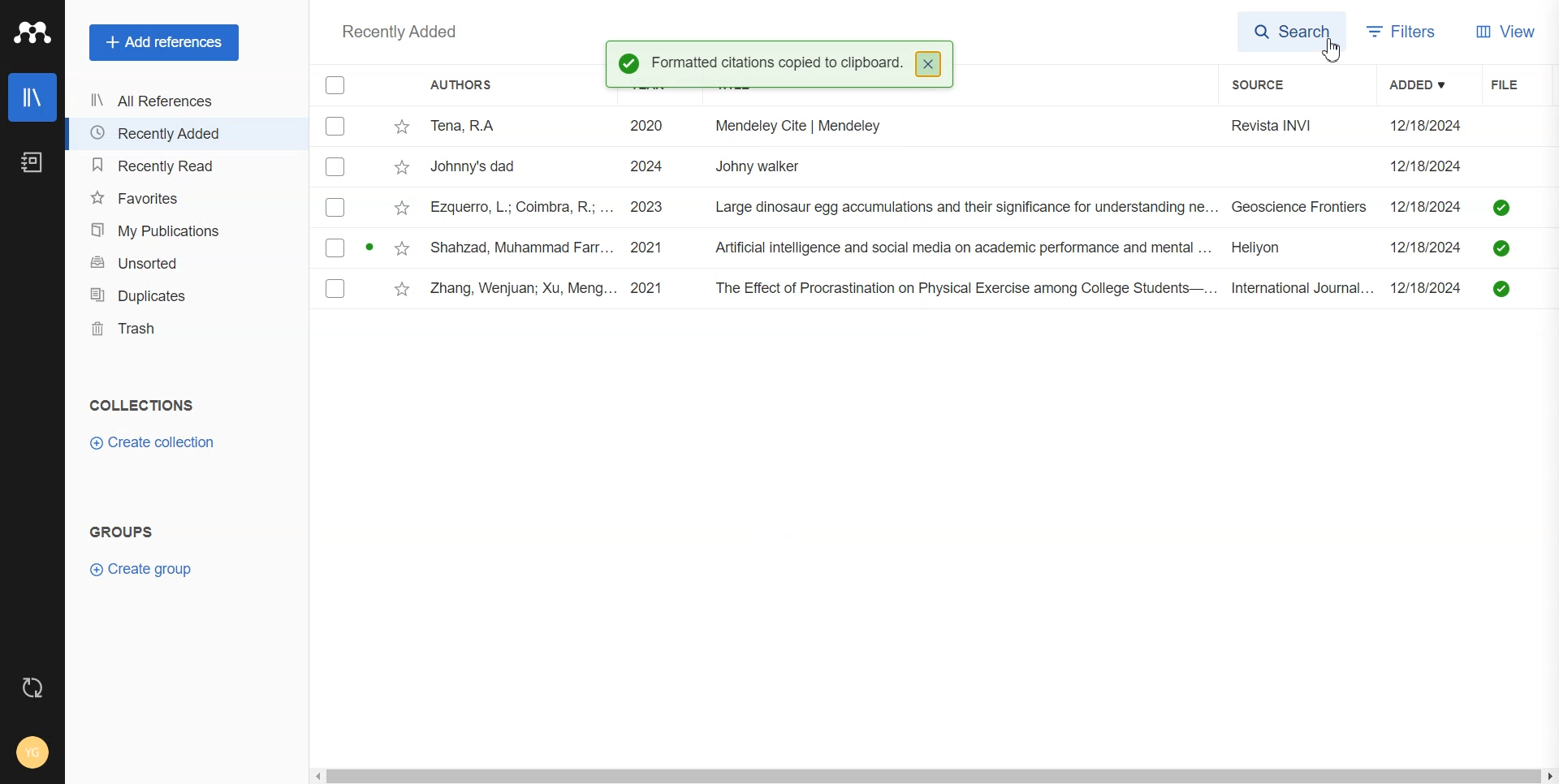  What do you see at coordinates (188, 263) in the screenshot?
I see `Unsorted` at bounding box center [188, 263].